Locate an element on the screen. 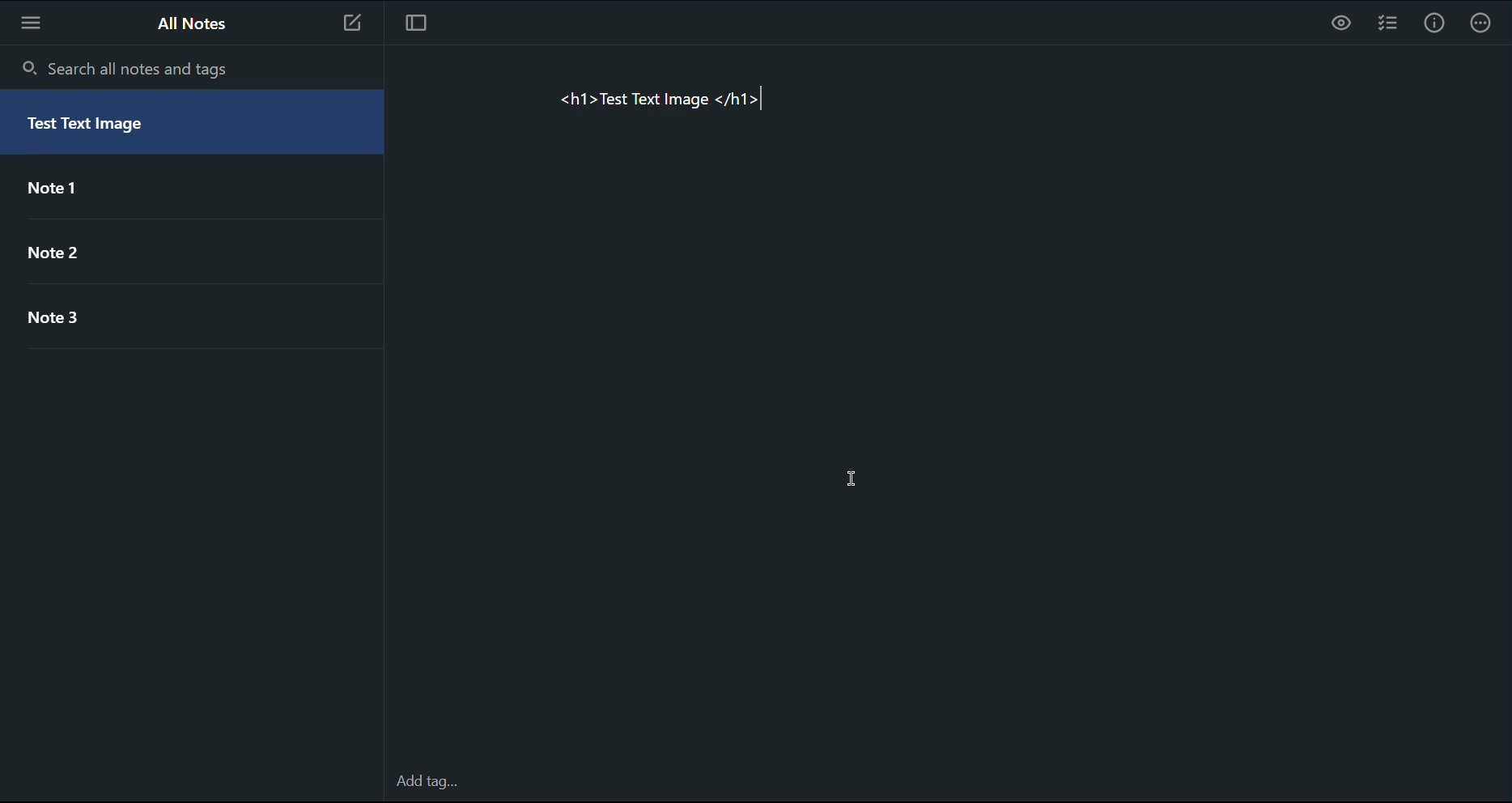 The height and width of the screenshot is (803, 1512). More is located at coordinates (35, 23).